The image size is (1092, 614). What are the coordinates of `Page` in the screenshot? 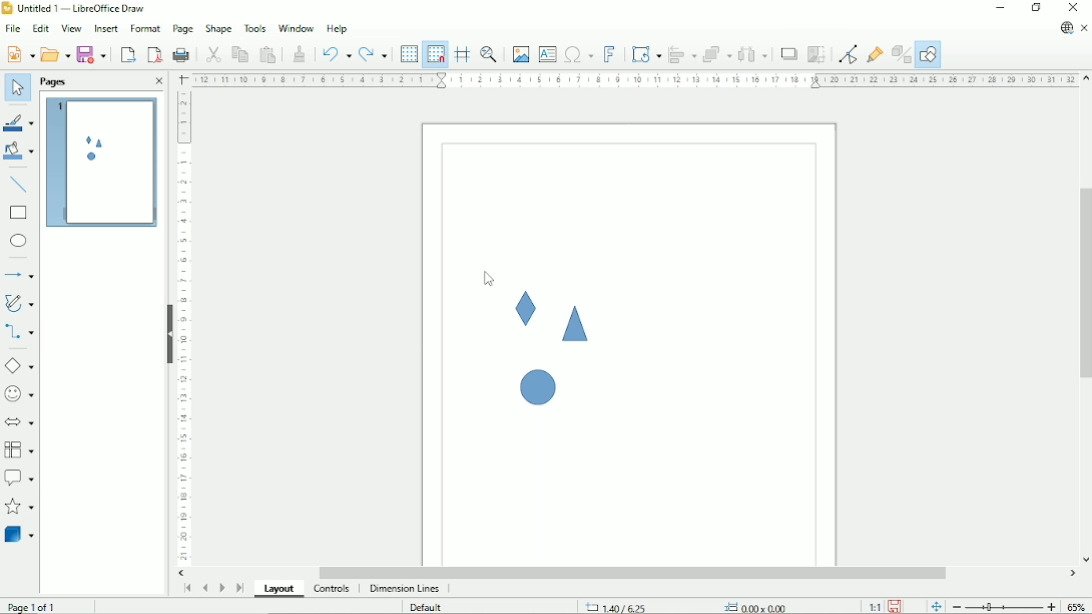 It's located at (183, 29).